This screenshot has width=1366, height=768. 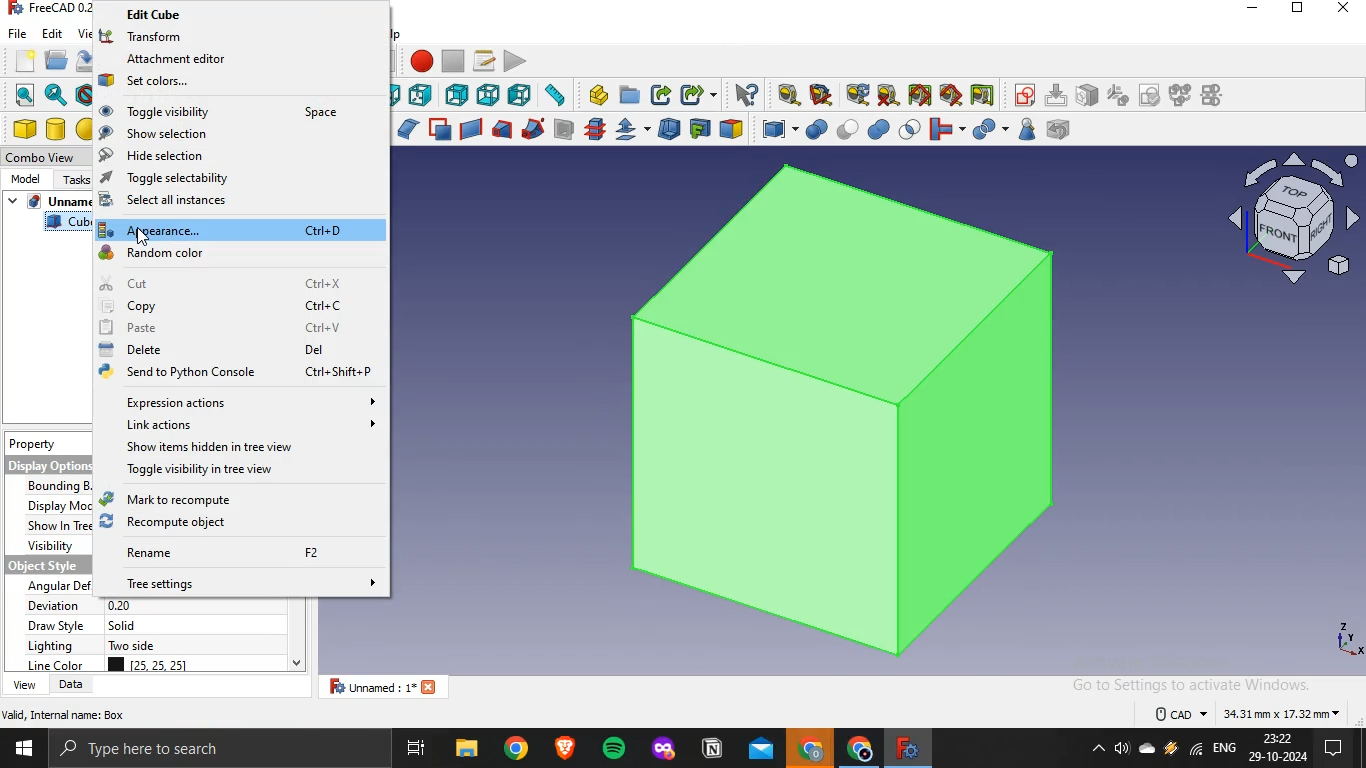 What do you see at coordinates (55, 95) in the screenshot?
I see `fit selection` at bounding box center [55, 95].